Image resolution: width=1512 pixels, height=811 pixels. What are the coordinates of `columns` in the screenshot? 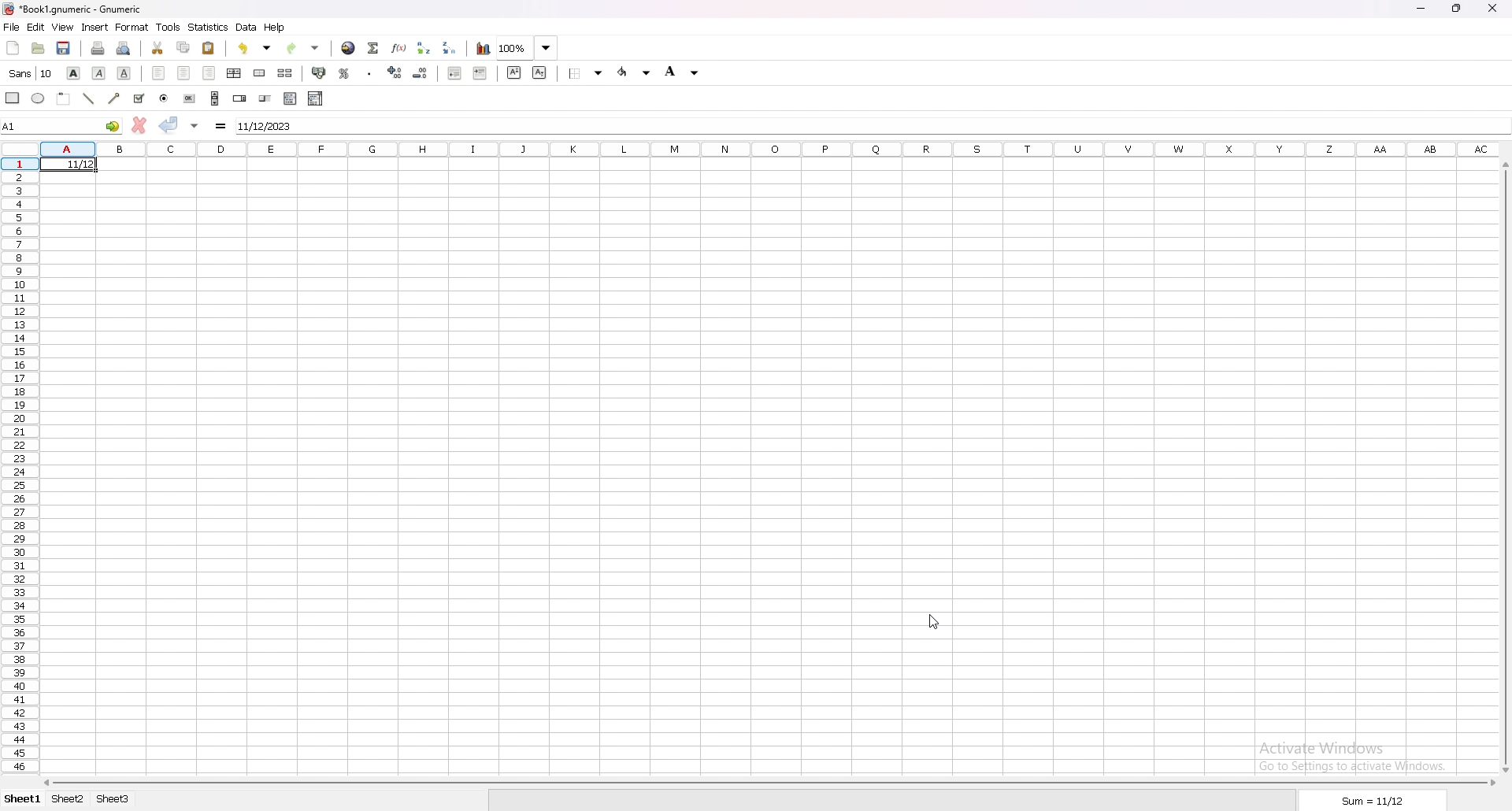 It's located at (772, 148).